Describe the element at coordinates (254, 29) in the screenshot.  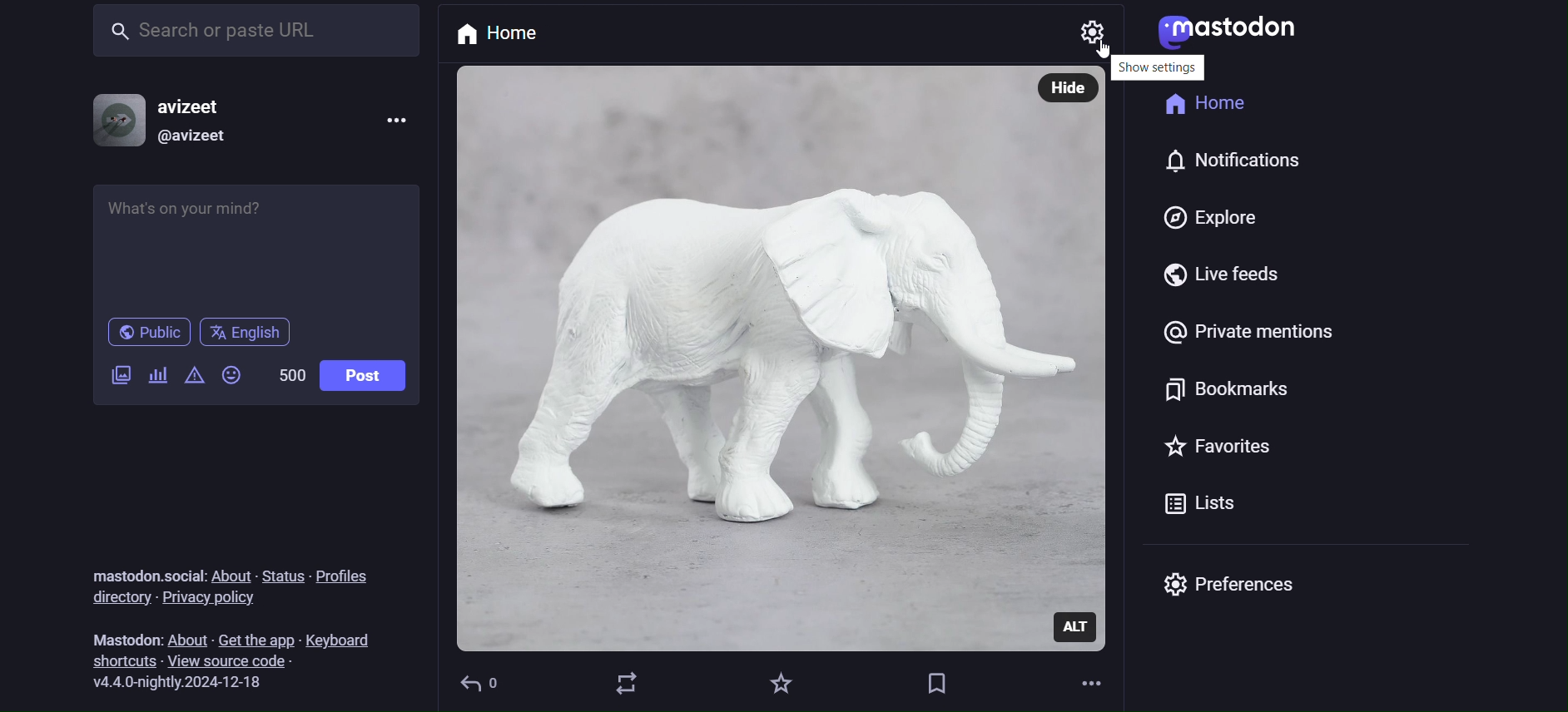
I see `Search or paste URL` at that location.